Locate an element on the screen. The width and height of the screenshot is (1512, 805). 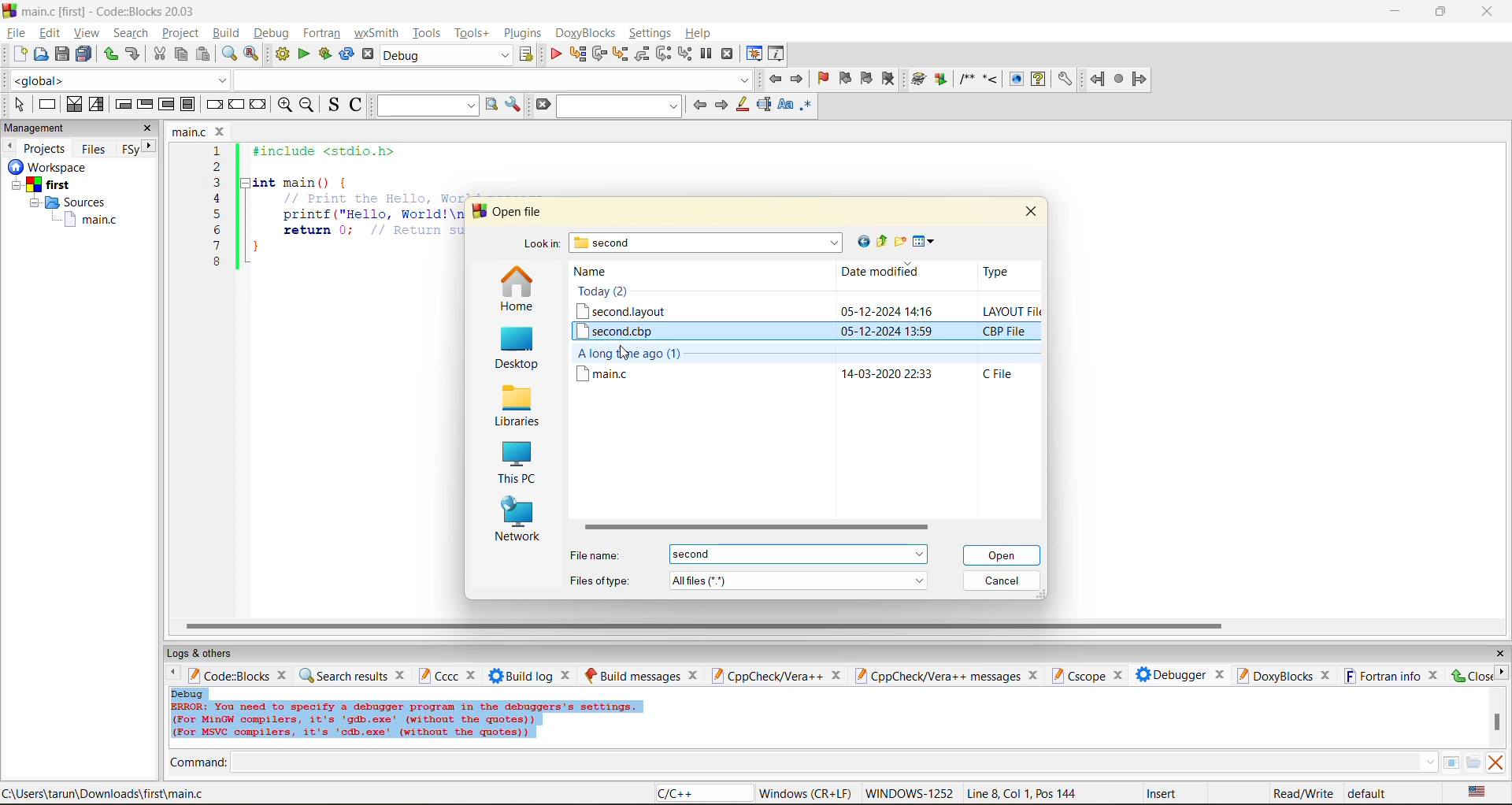
file type is located at coordinates (1006, 331).